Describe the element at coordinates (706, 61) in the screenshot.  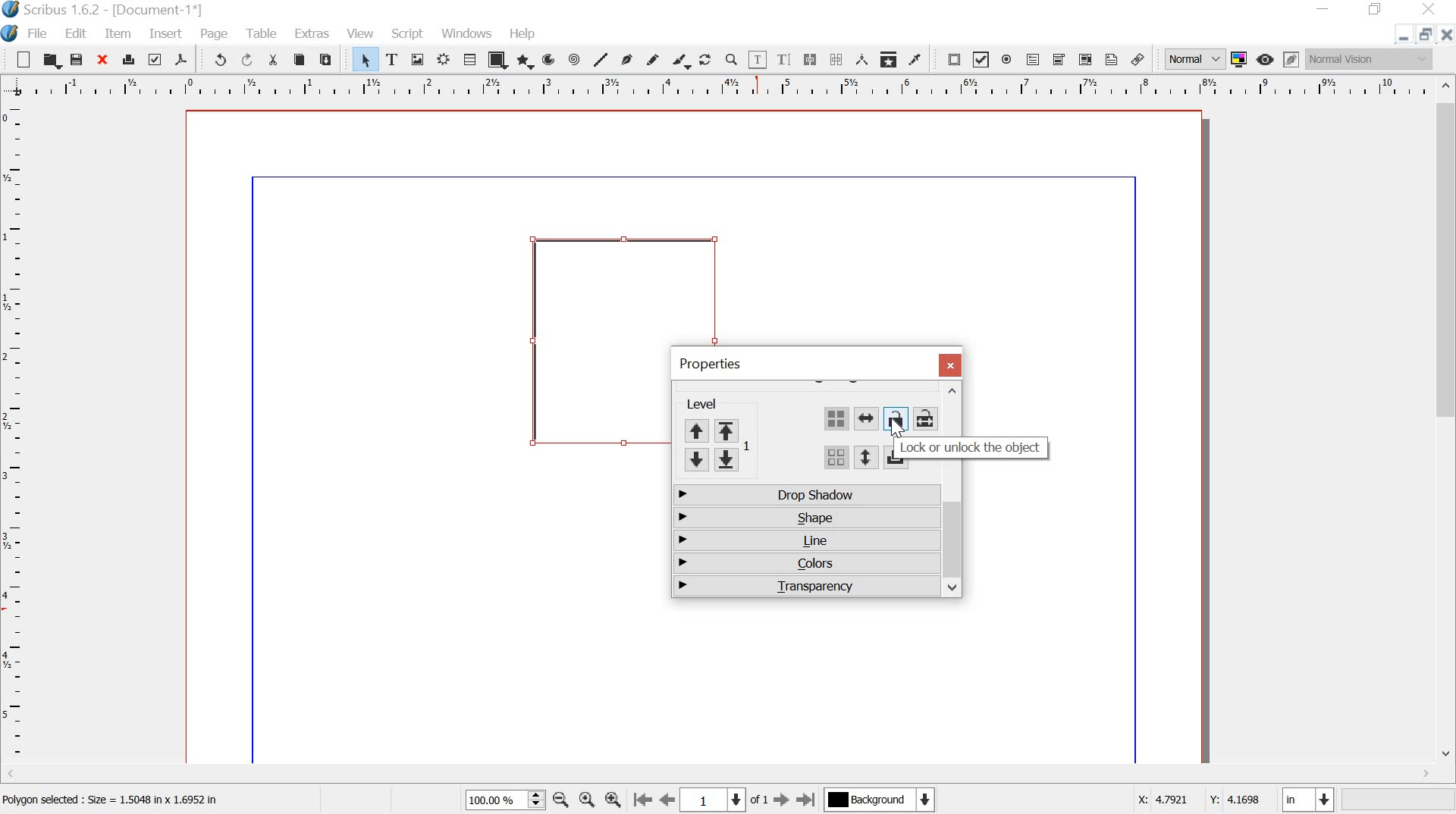
I see `rotate item` at that location.